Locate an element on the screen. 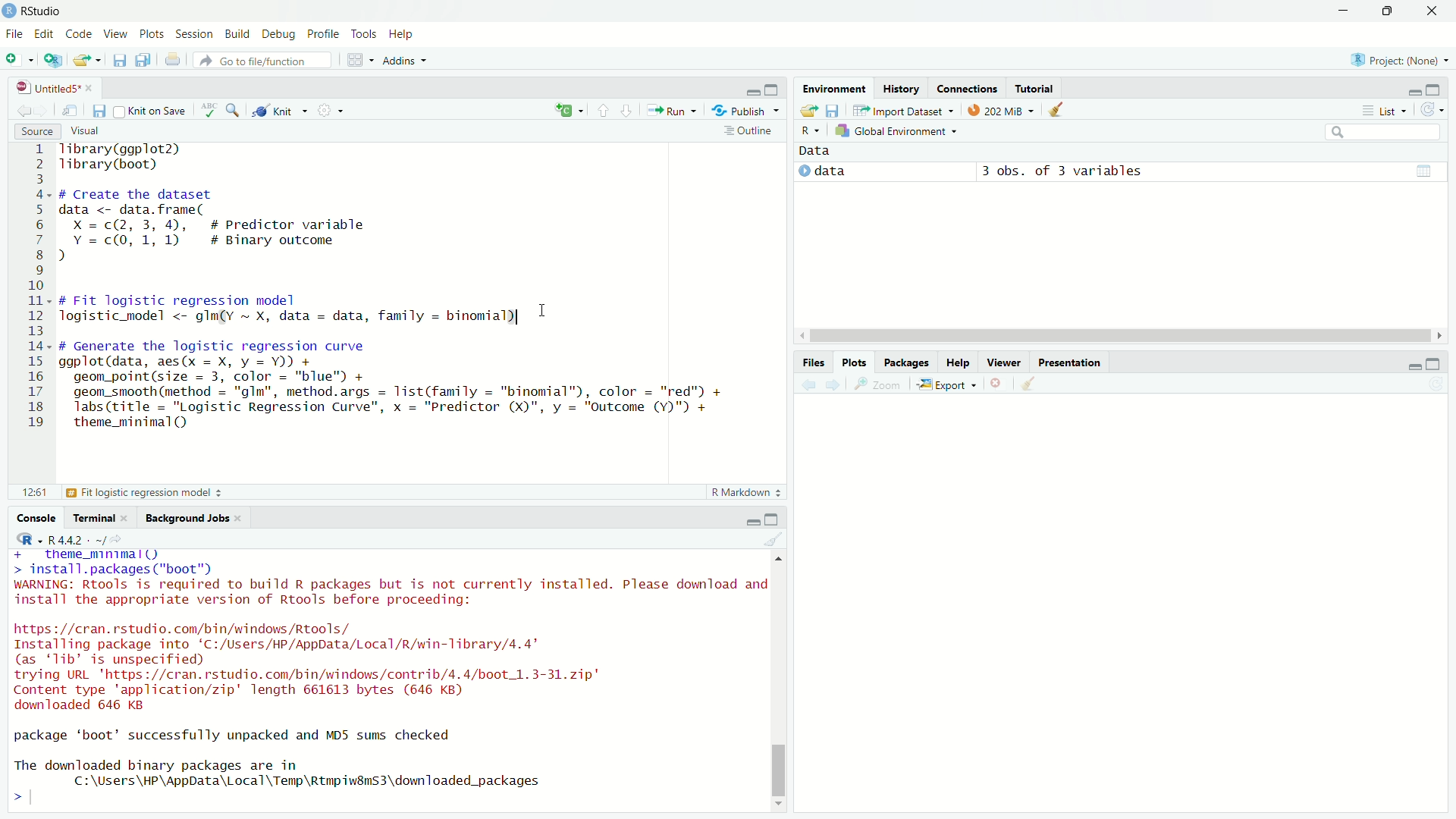 The height and width of the screenshot is (819, 1456). Save current document is located at coordinates (119, 59).